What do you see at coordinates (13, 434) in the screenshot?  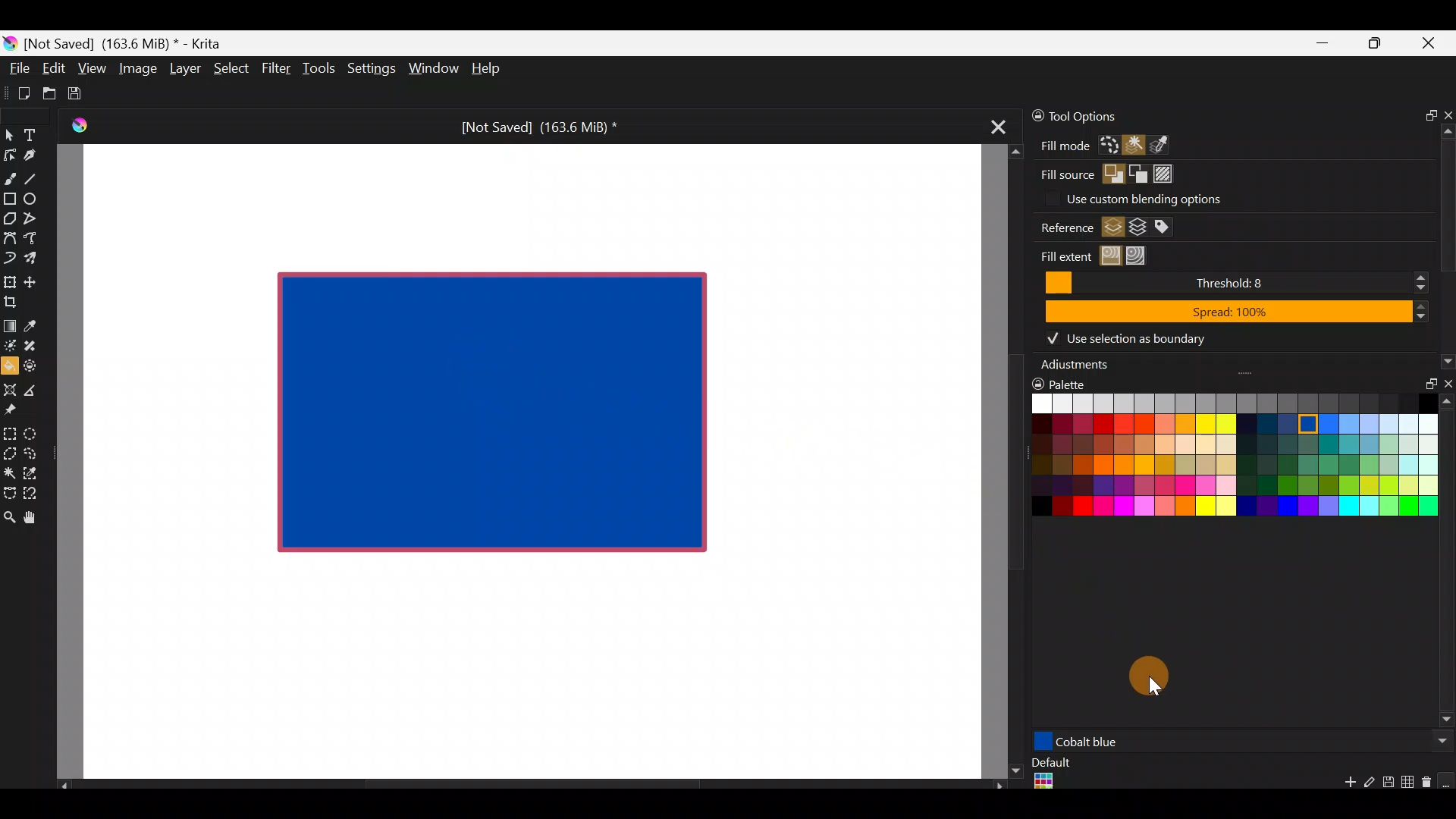 I see `Rectangular selection tool` at bounding box center [13, 434].